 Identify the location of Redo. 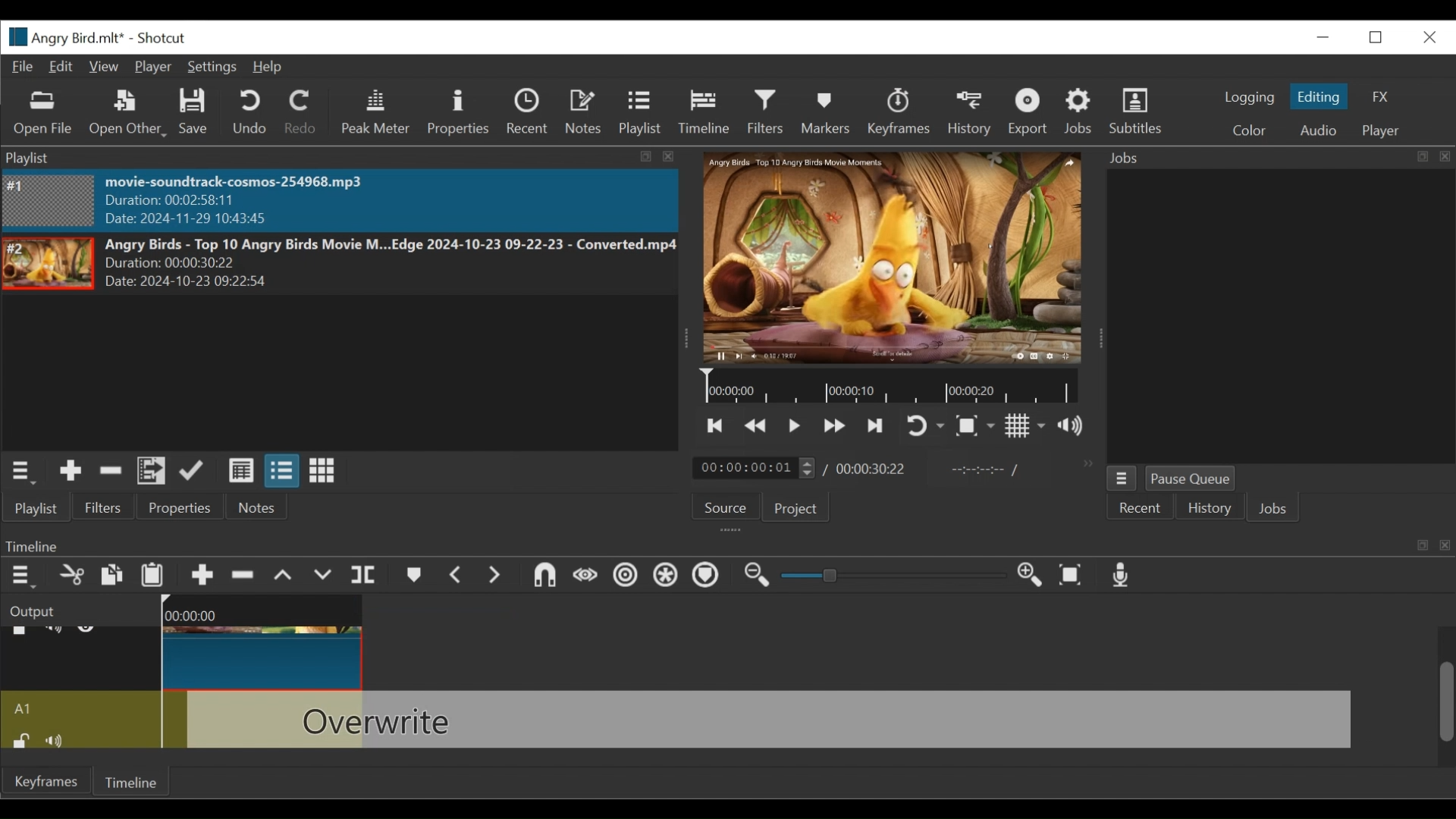
(303, 112).